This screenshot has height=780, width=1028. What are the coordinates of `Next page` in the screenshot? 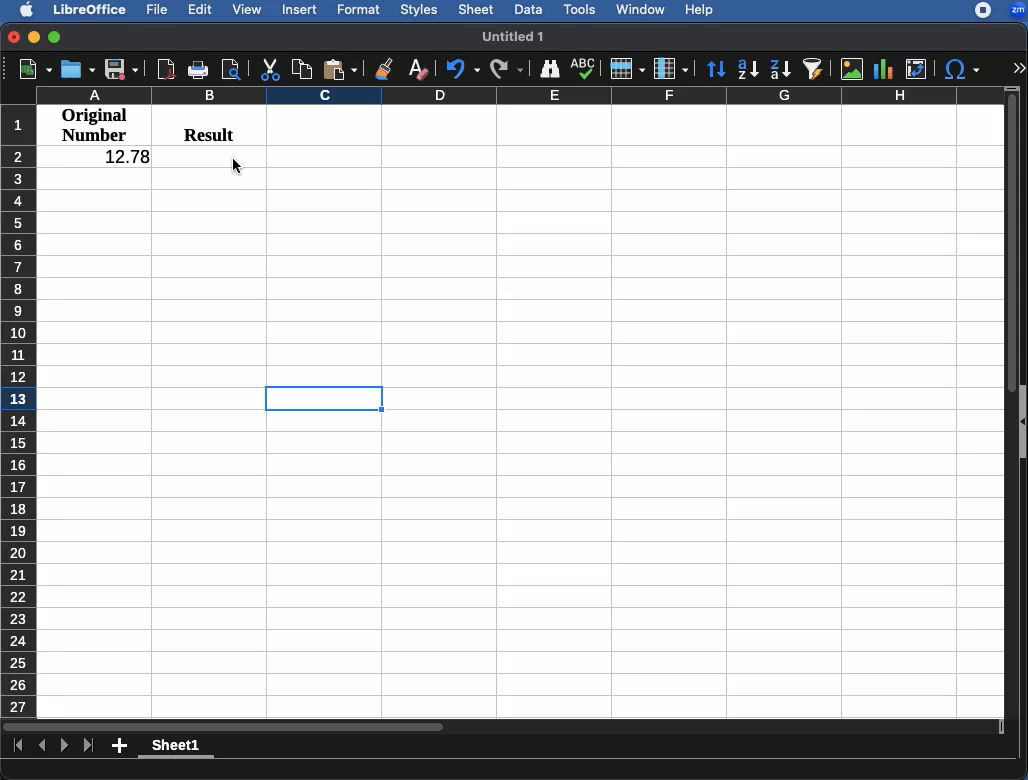 It's located at (65, 746).